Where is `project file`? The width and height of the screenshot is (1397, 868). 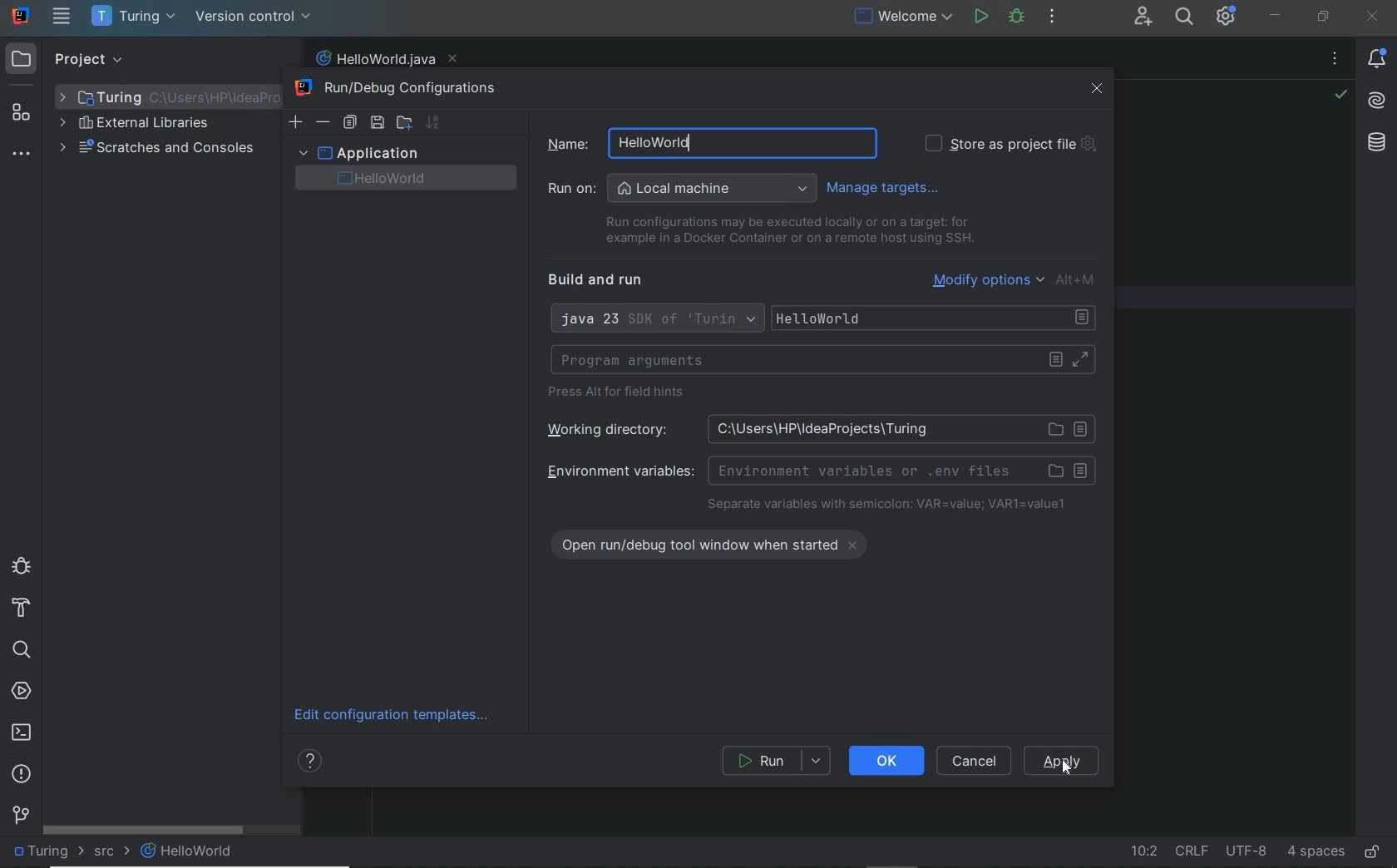 project file is located at coordinates (46, 851).